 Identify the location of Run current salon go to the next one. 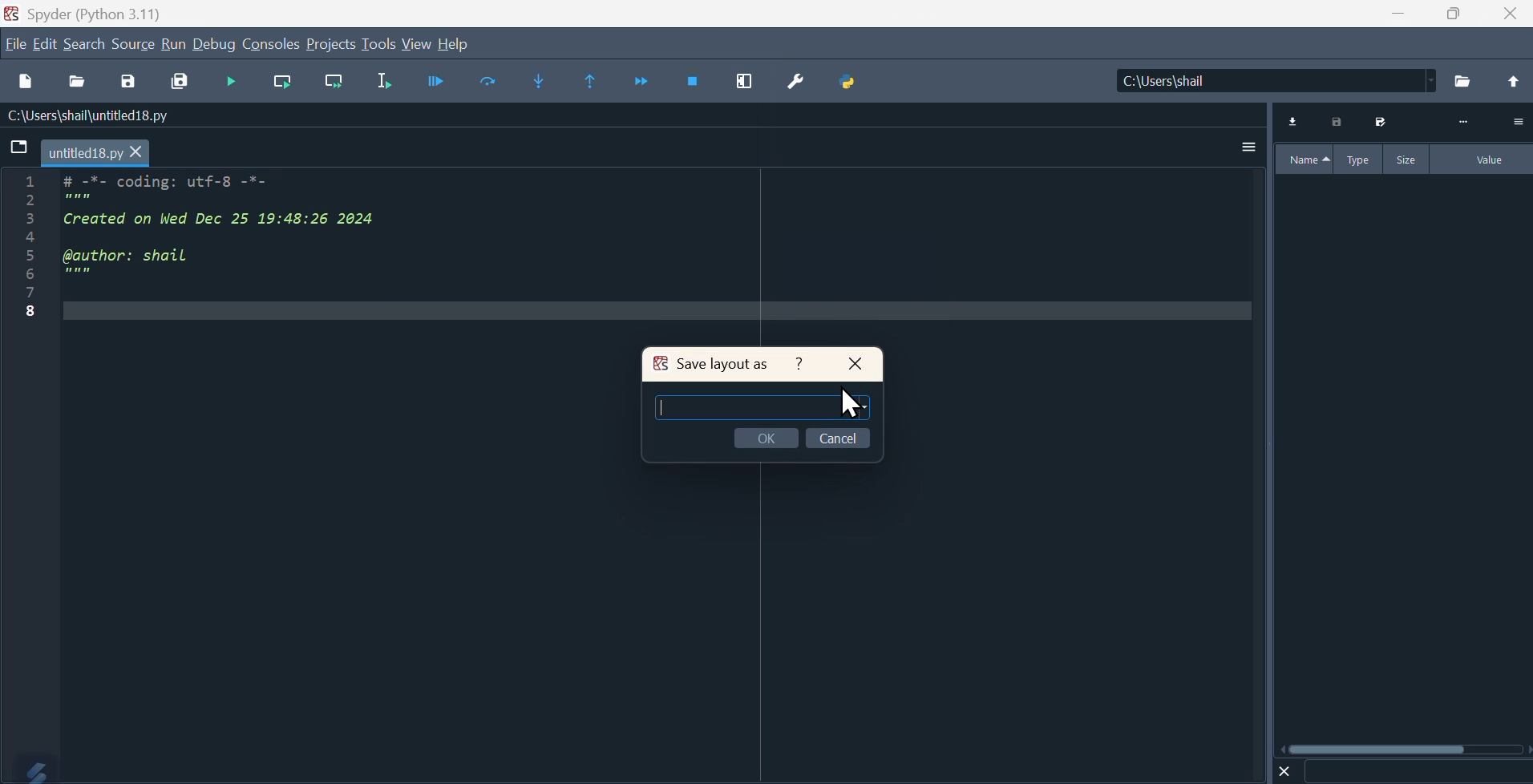
(334, 82).